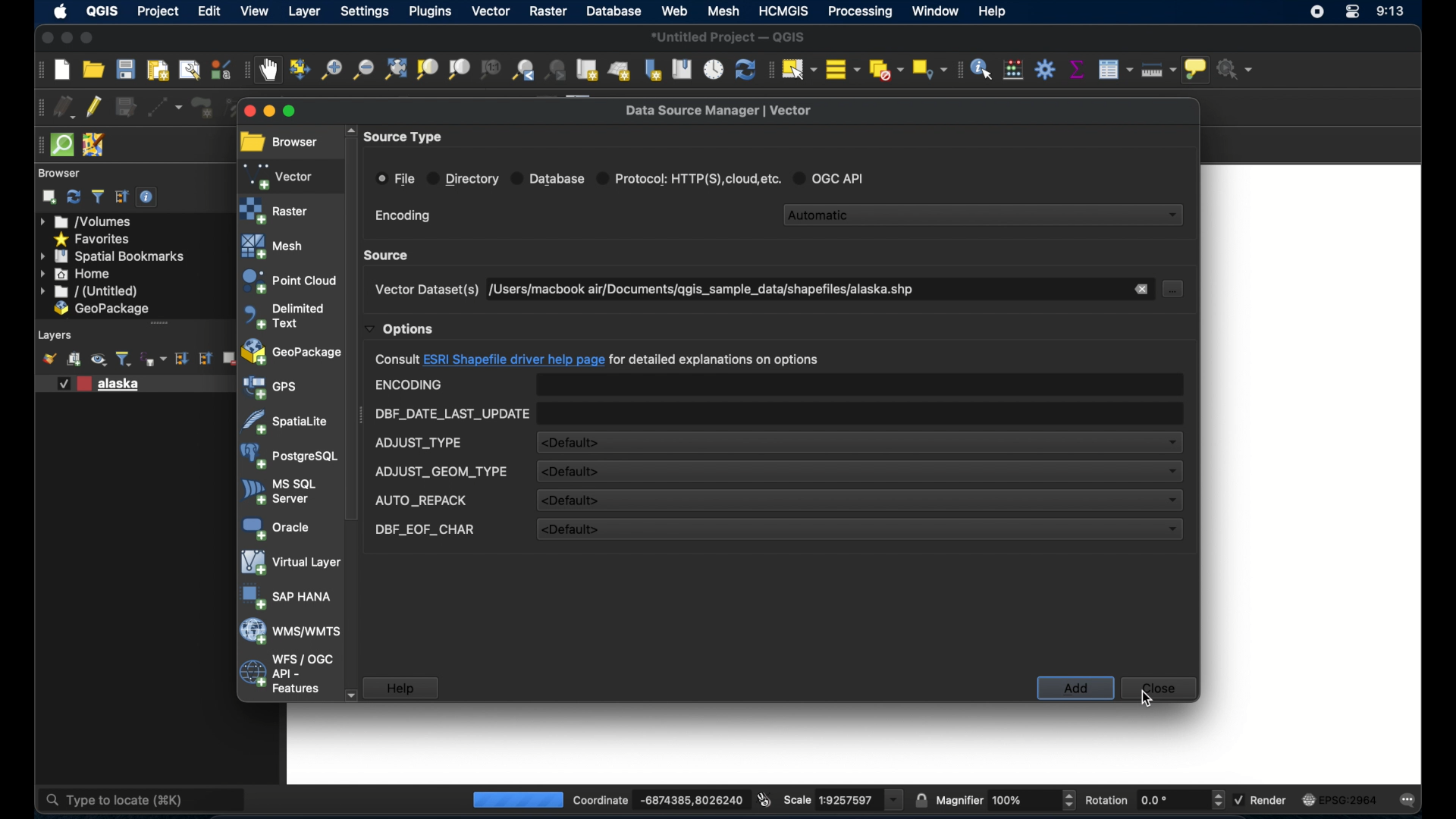 The height and width of the screenshot is (819, 1456). Describe the element at coordinates (588, 69) in the screenshot. I see `new map view` at that location.